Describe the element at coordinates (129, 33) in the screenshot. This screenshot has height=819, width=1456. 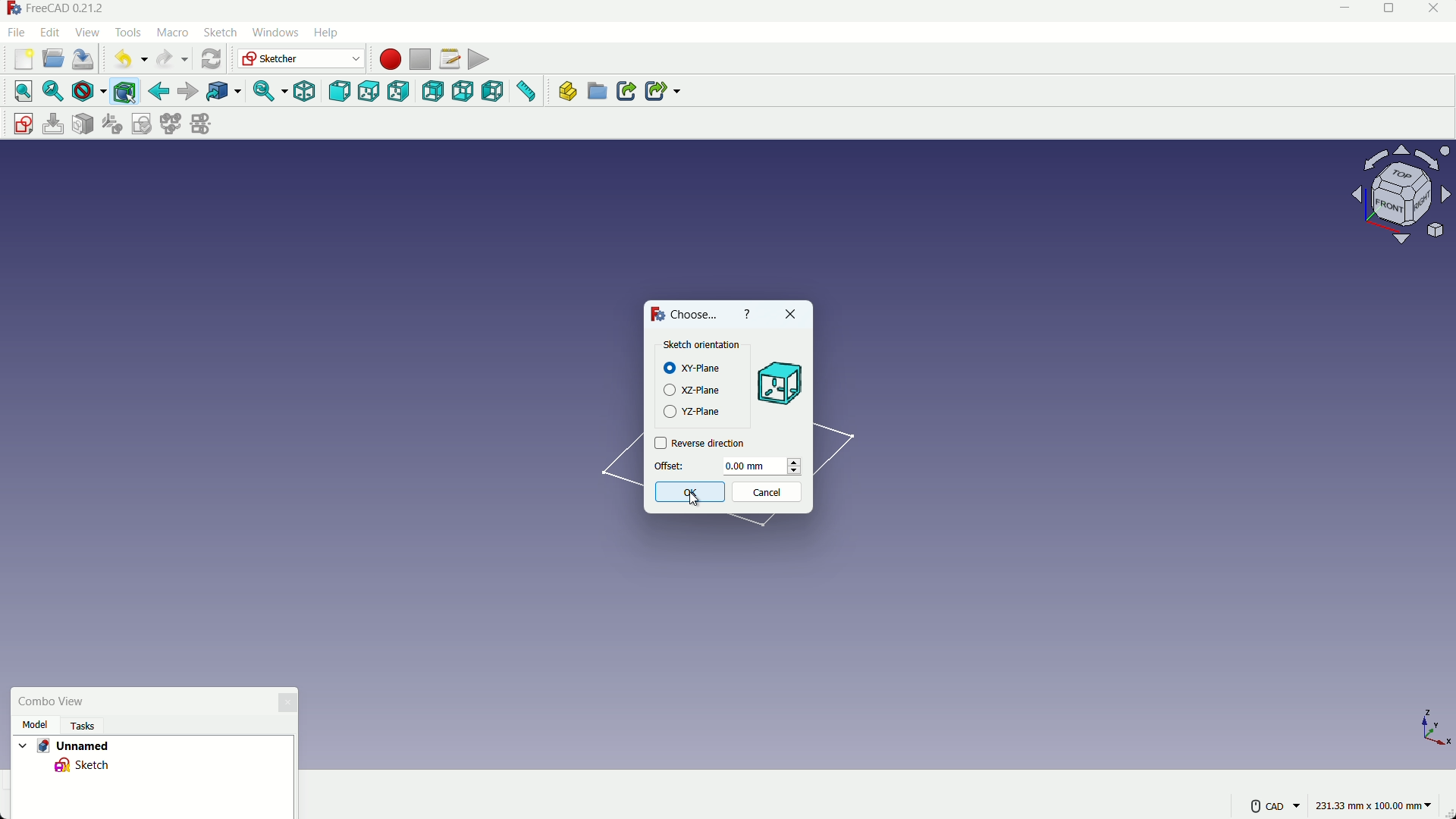
I see `tools menu` at that location.